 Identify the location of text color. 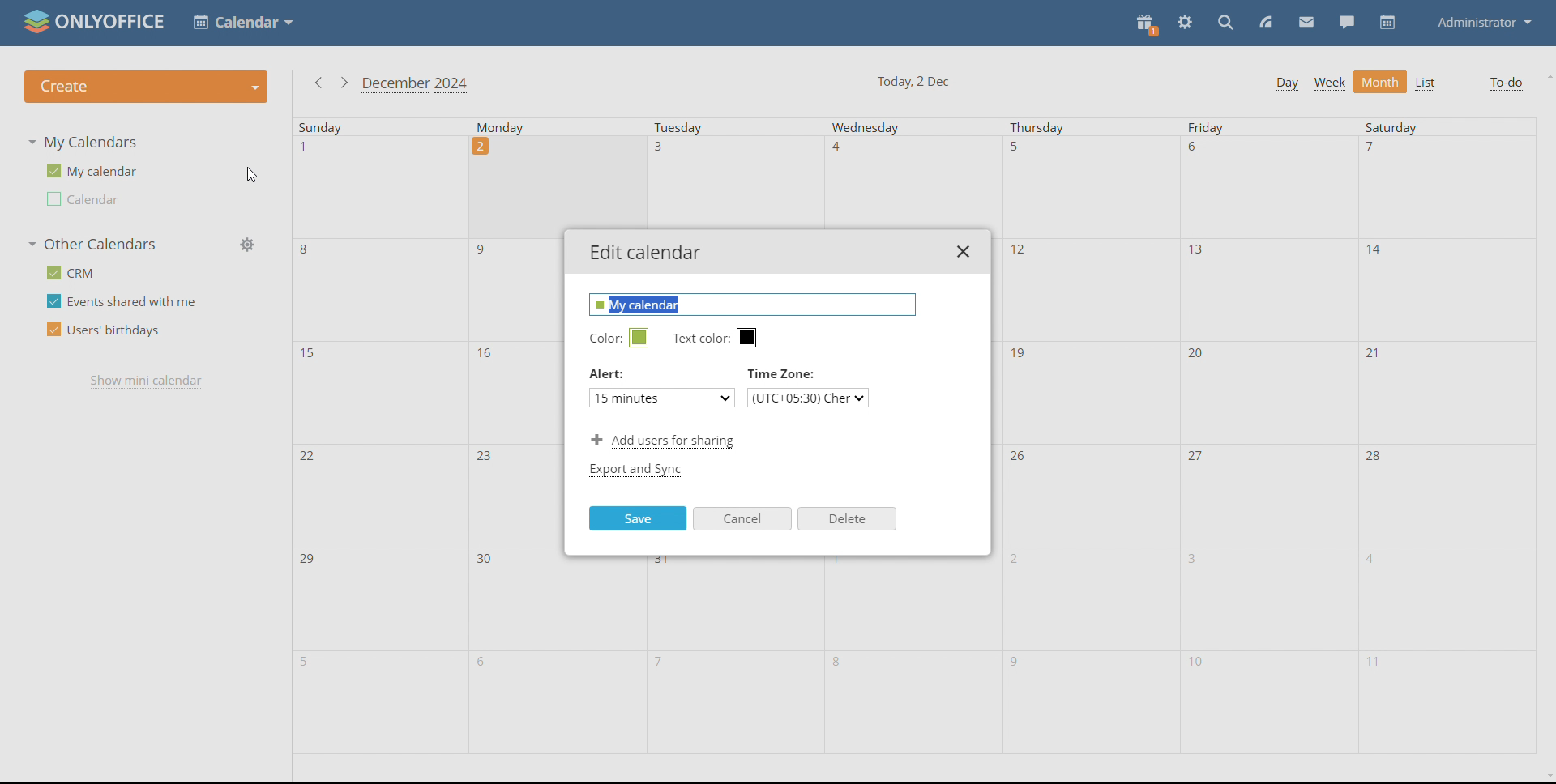
(716, 339).